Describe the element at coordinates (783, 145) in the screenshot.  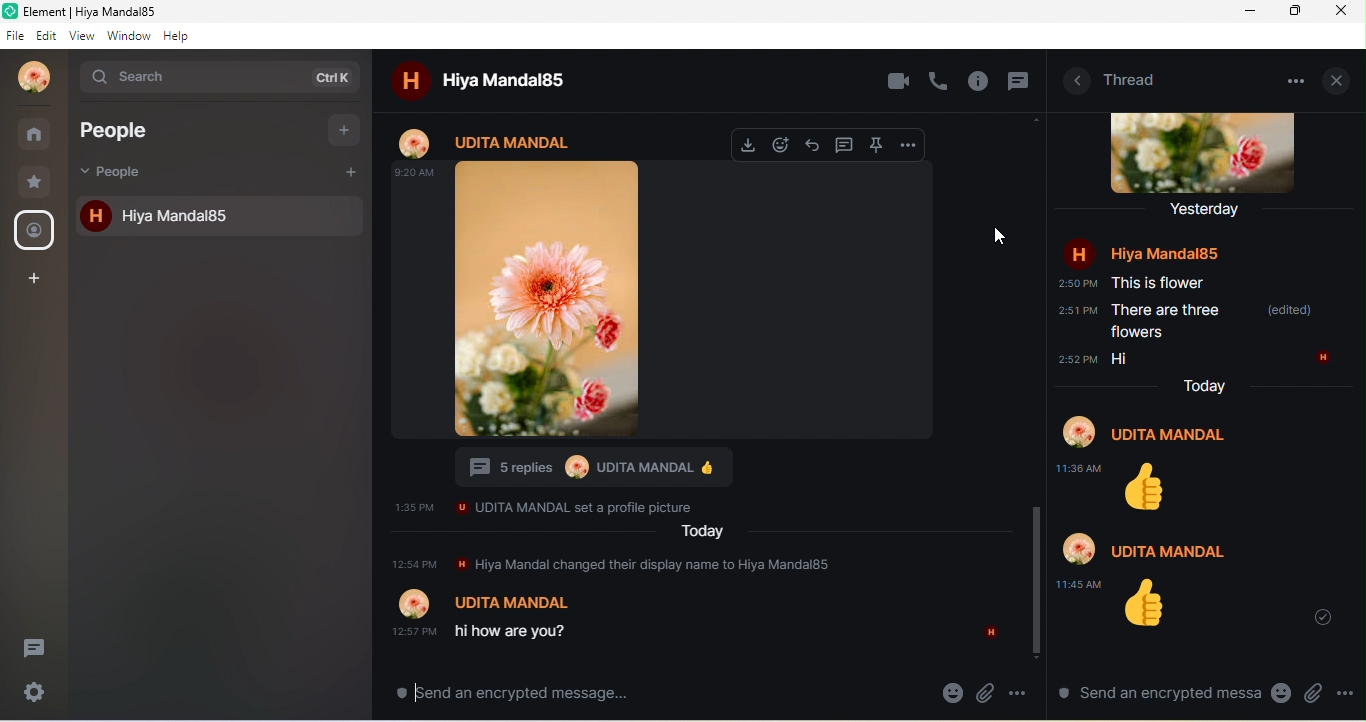
I see `react` at that location.